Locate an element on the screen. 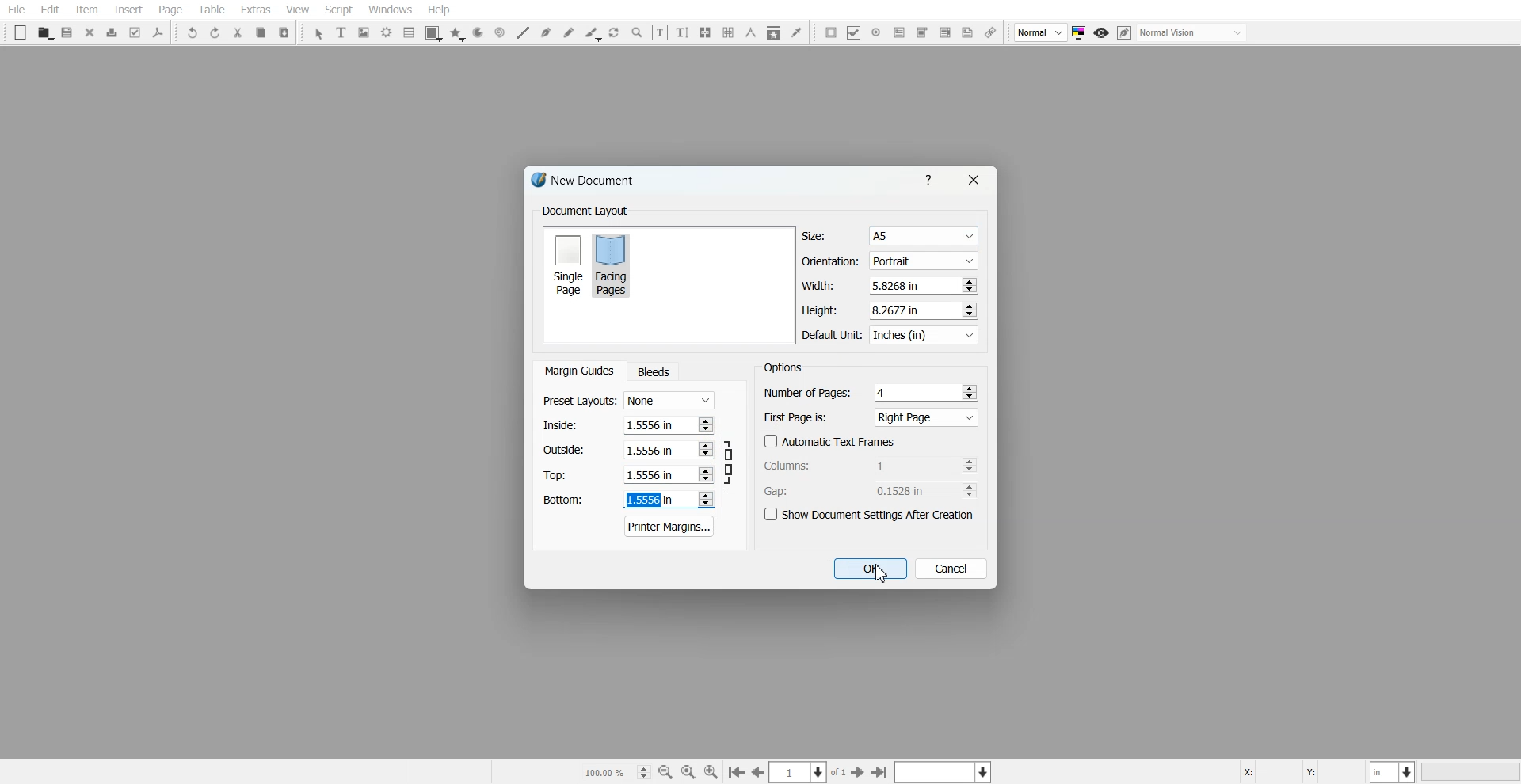 The height and width of the screenshot is (784, 1521). List is located at coordinates (410, 32).